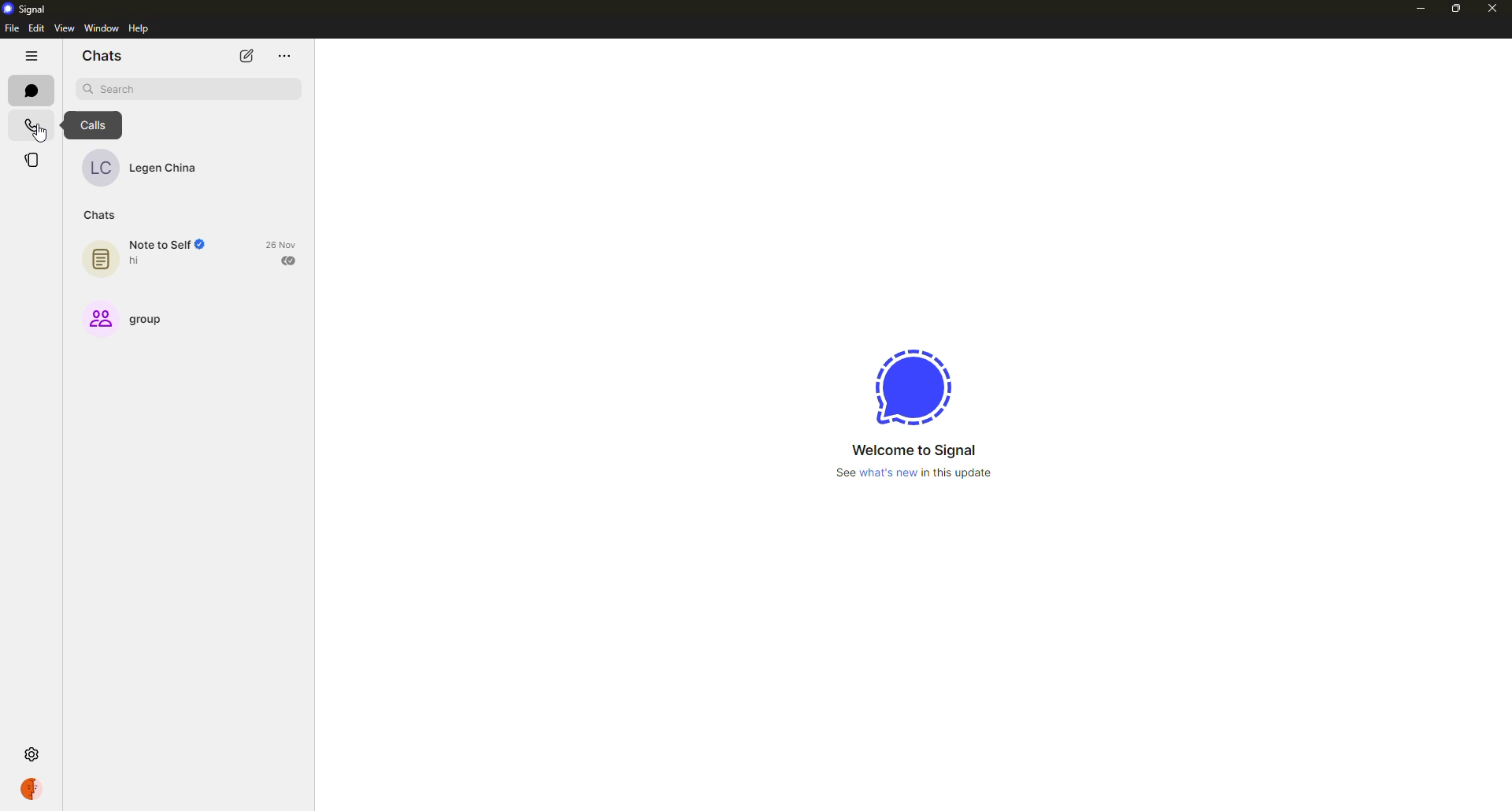 The image size is (1512, 811). What do you see at coordinates (141, 28) in the screenshot?
I see `help` at bounding box center [141, 28].